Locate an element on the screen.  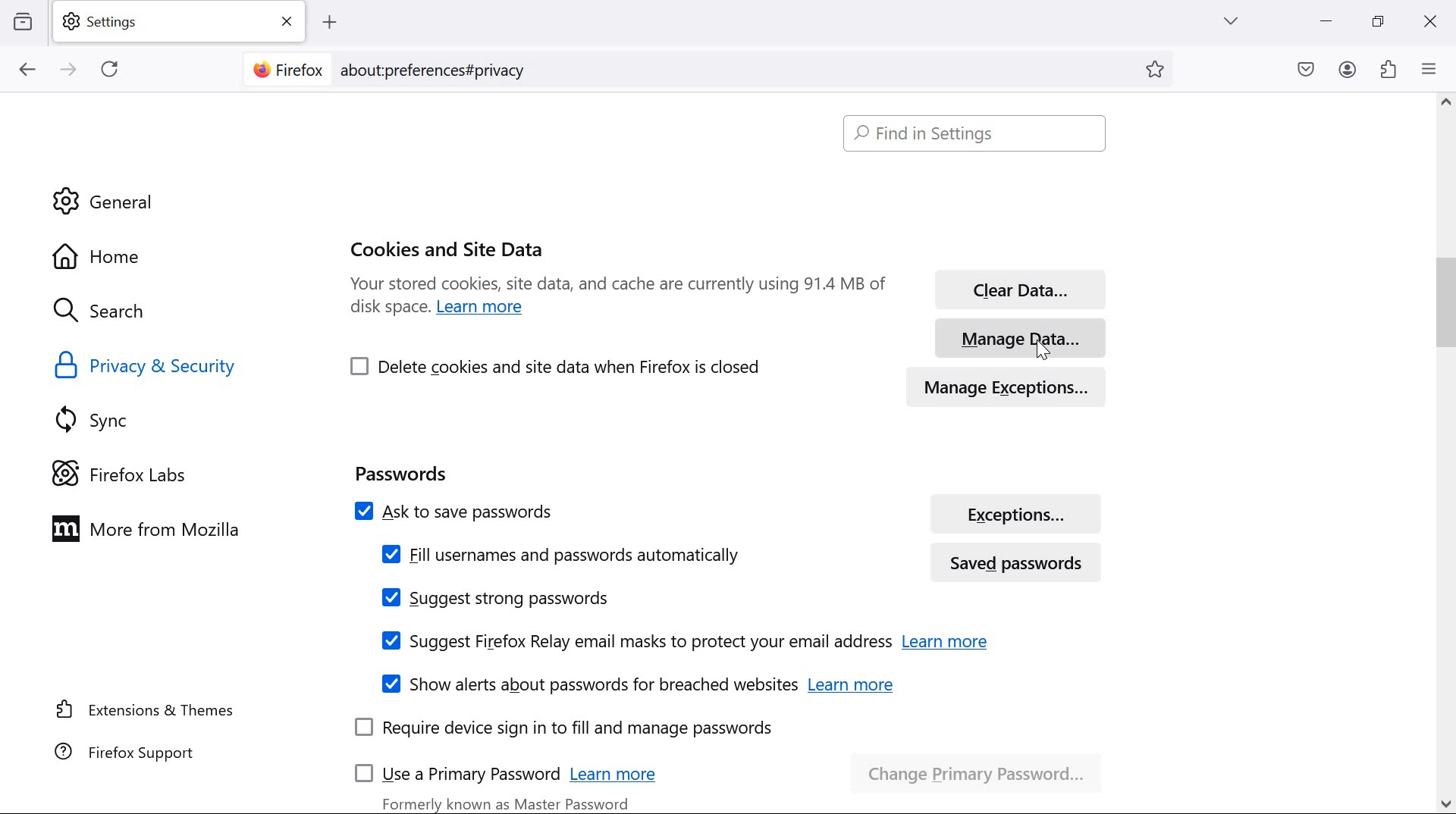
Suggest strong passwords is located at coordinates (496, 598).